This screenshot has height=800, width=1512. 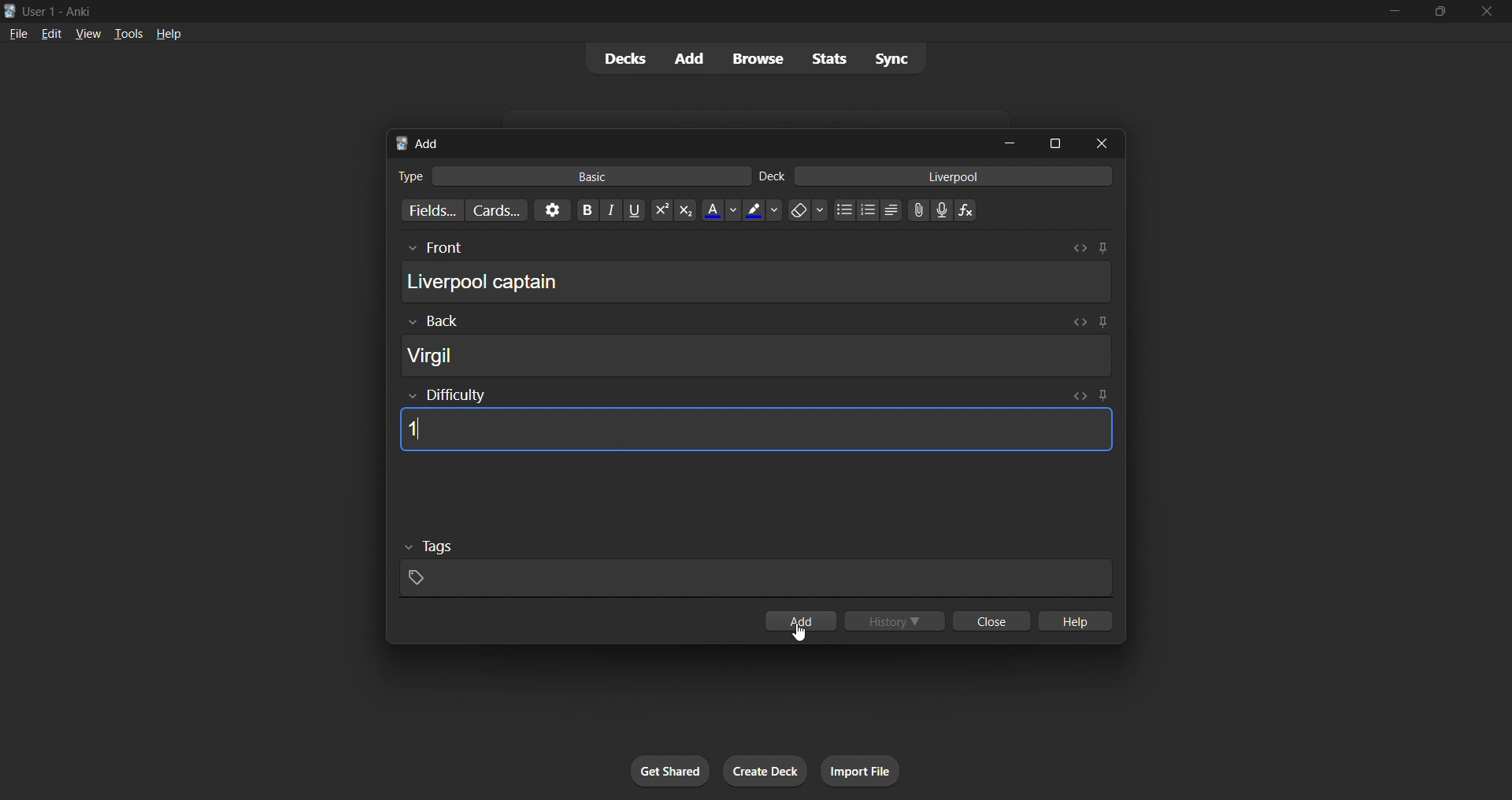 What do you see at coordinates (756, 281) in the screenshot?
I see `card front field input box` at bounding box center [756, 281].